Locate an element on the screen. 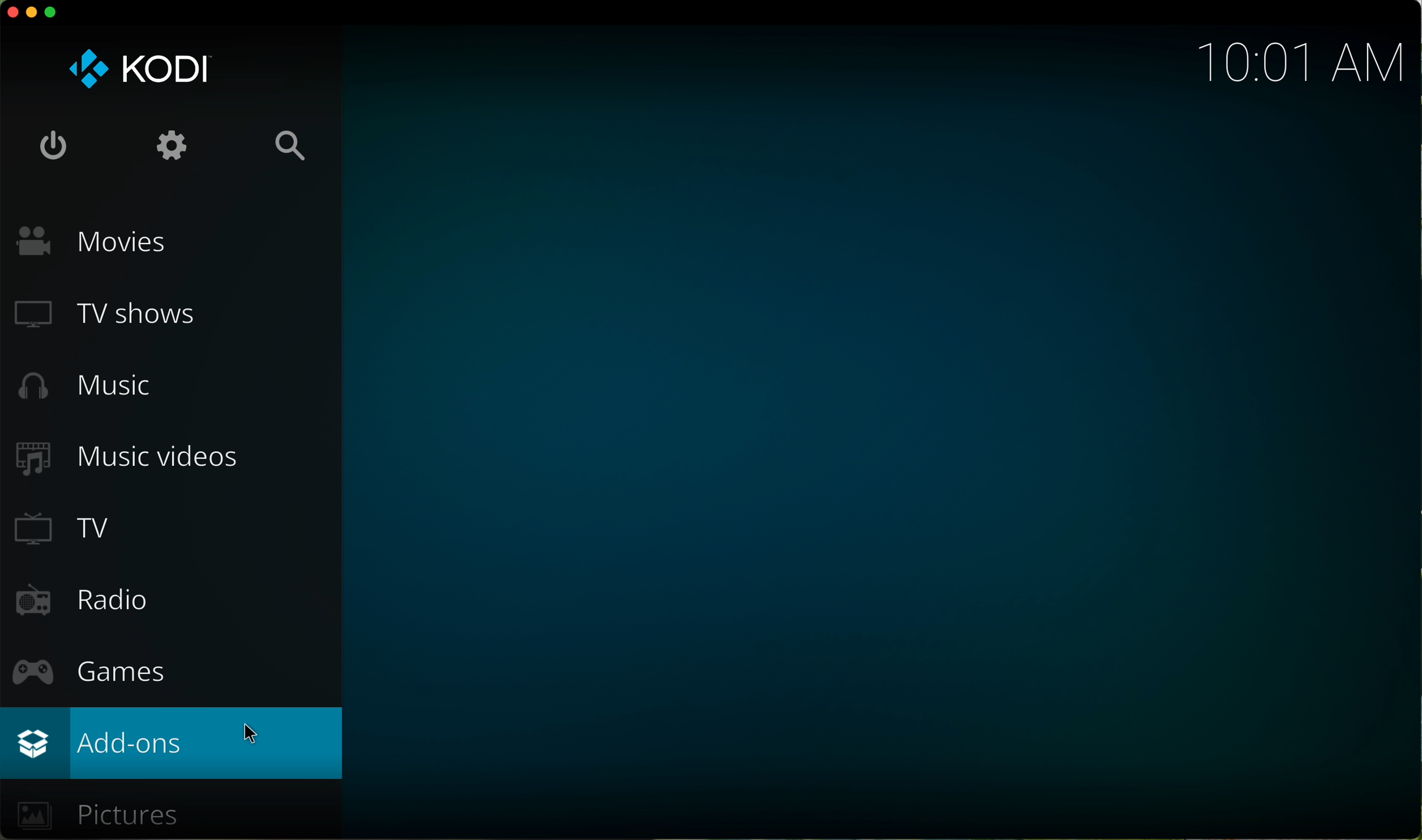  cursor is located at coordinates (254, 733).